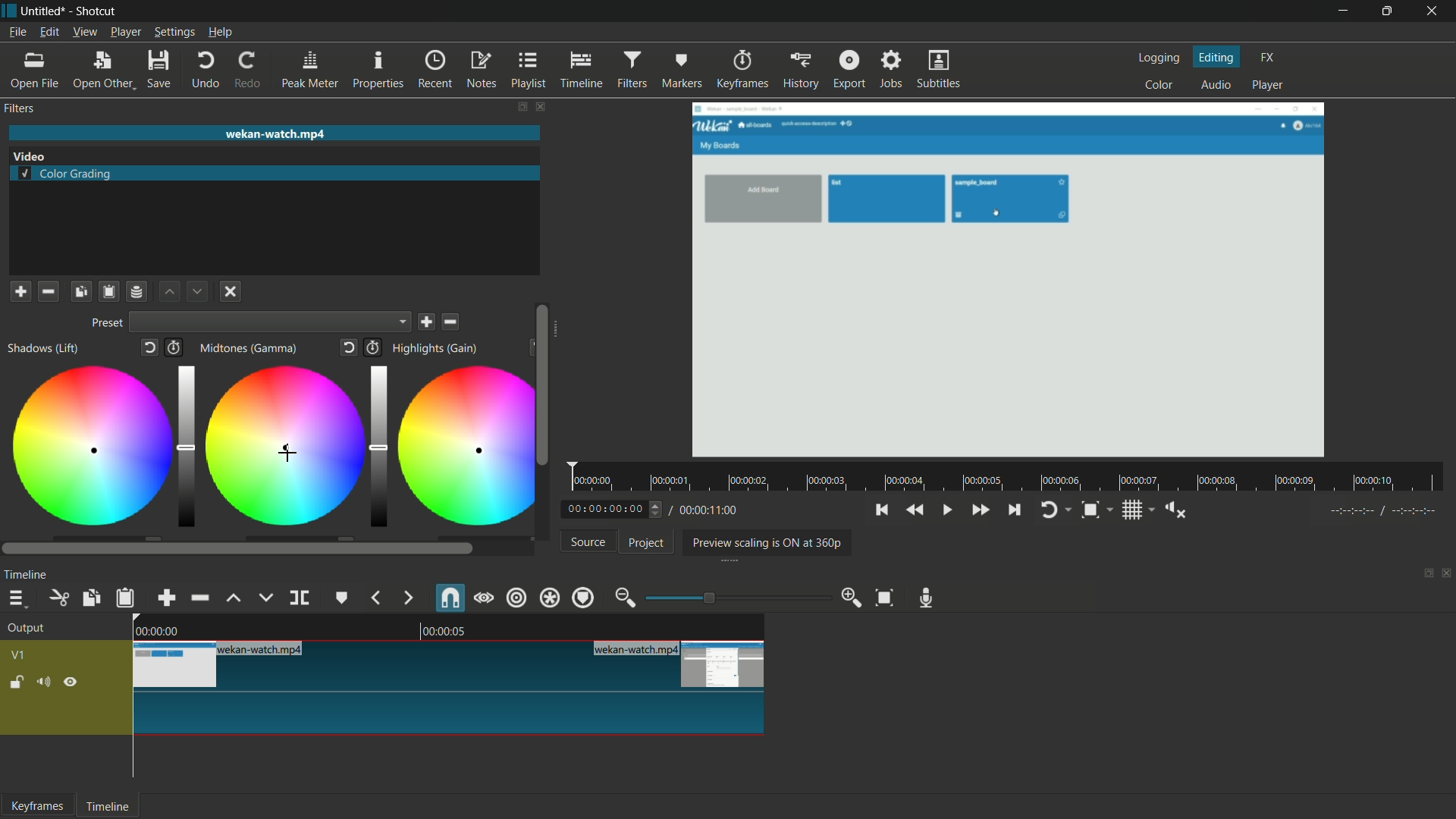 This screenshot has height=819, width=1456. What do you see at coordinates (483, 598) in the screenshot?
I see `scrub while dragging` at bounding box center [483, 598].